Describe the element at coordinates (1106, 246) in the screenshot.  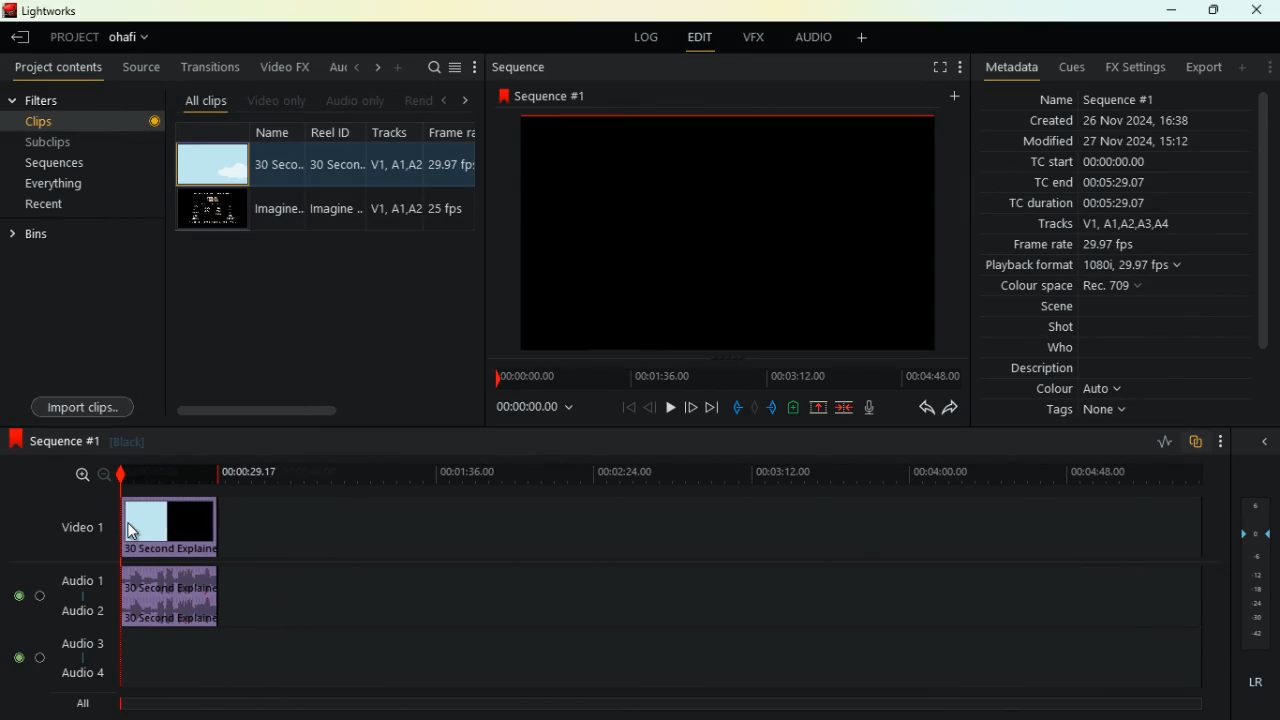
I see `frame rate` at that location.